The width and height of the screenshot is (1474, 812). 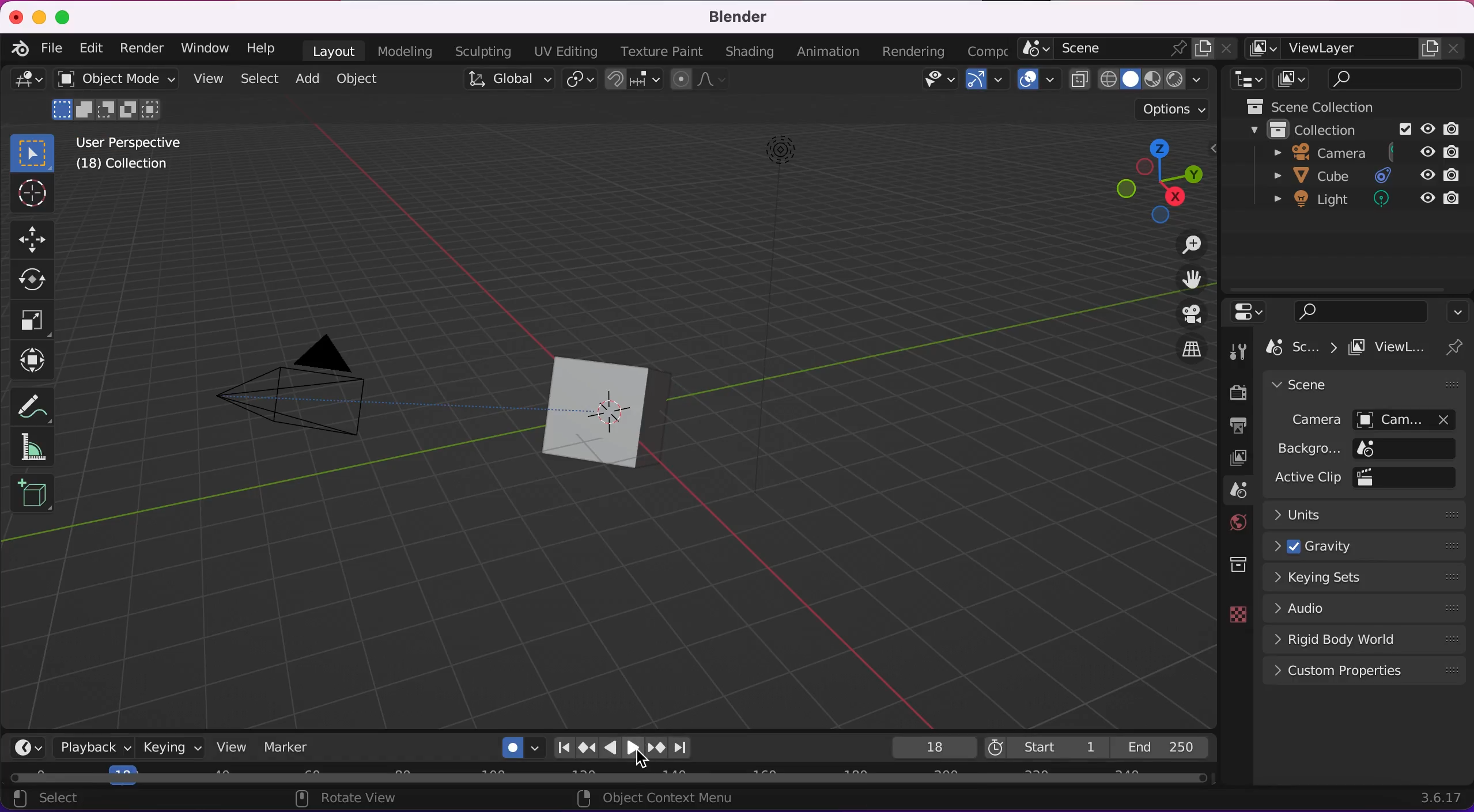 What do you see at coordinates (40, 17) in the screenshot?
I see `minimize` at bounding box center [40, 17].